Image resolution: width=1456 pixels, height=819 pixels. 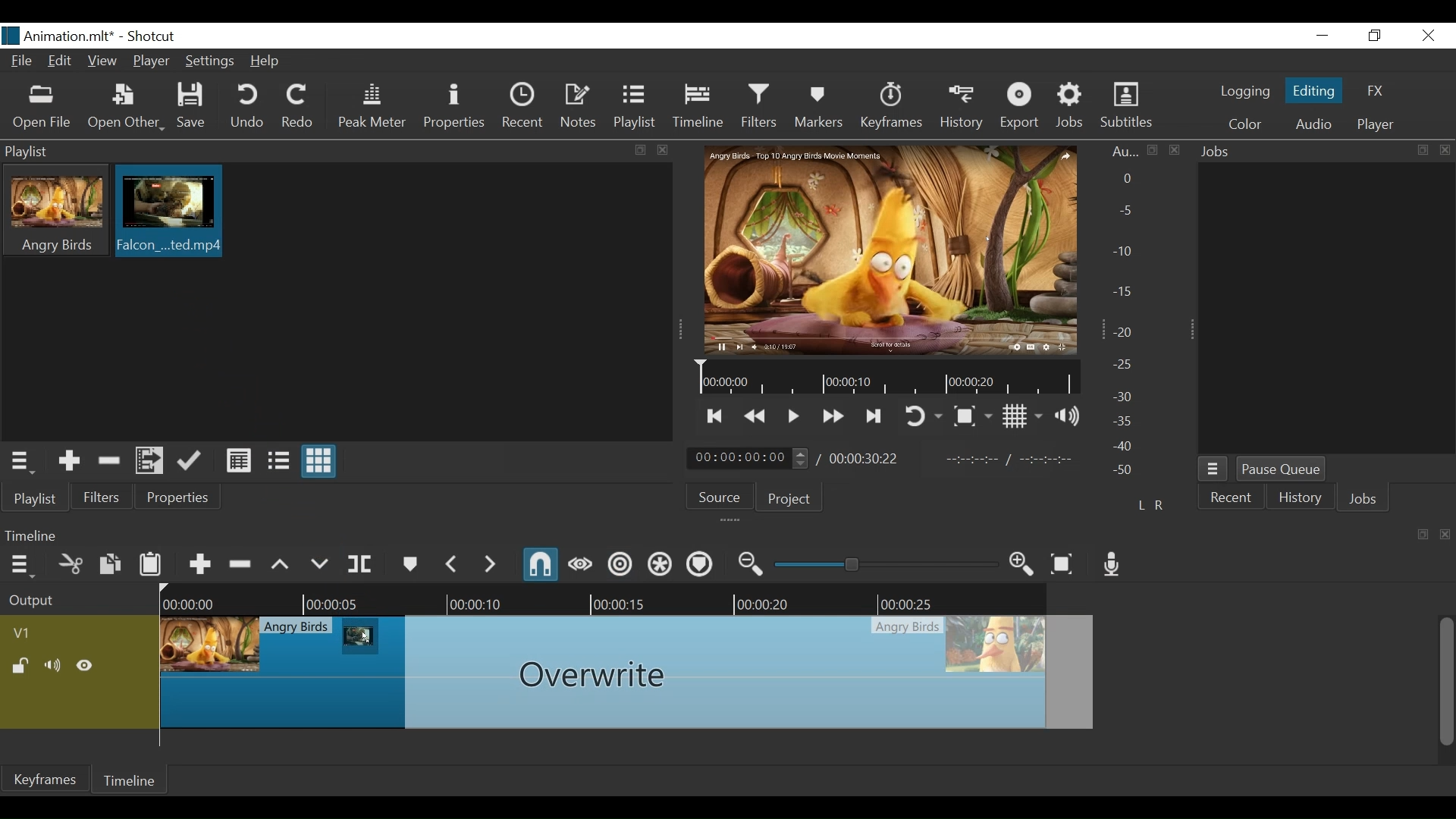 What do you see at coordinates (193, 106) in the screenshot?
I see `Save` at bounding box center [193, 106].